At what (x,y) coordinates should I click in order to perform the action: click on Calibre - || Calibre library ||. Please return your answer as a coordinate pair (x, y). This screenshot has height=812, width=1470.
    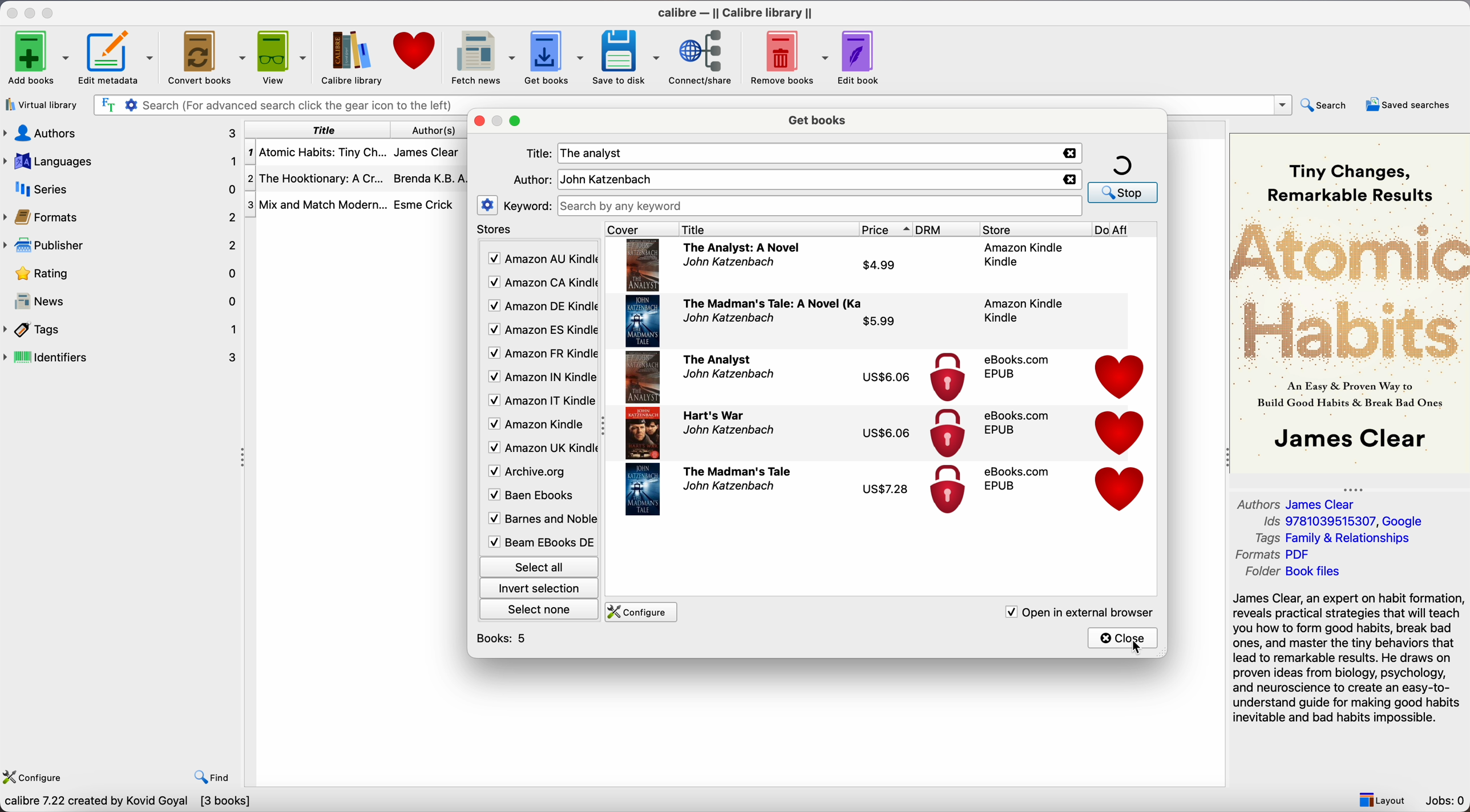
    Looking at the image, I should click on (734, 11).